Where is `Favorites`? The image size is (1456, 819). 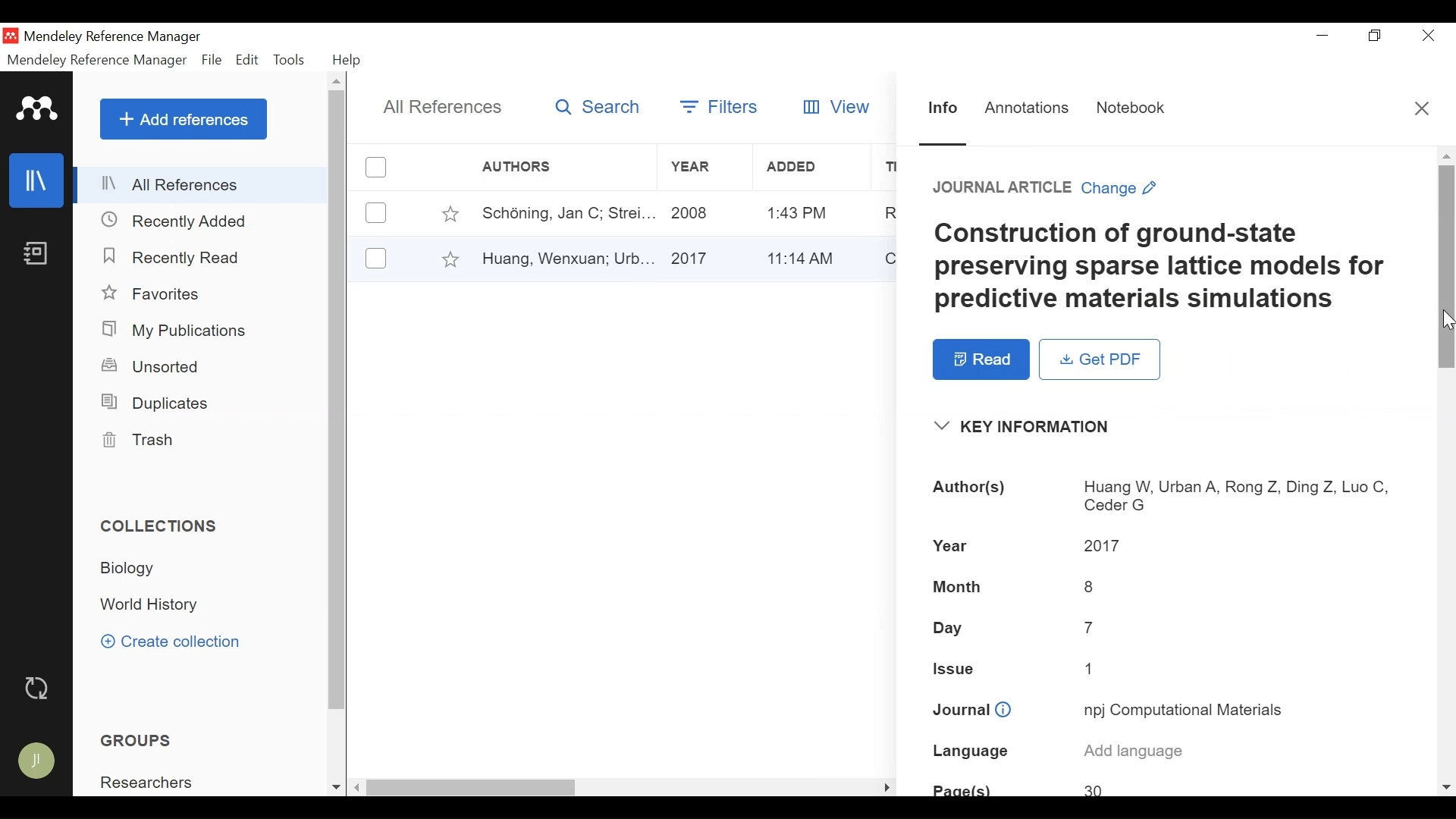
Favorites is located at coordinates (156, 294).